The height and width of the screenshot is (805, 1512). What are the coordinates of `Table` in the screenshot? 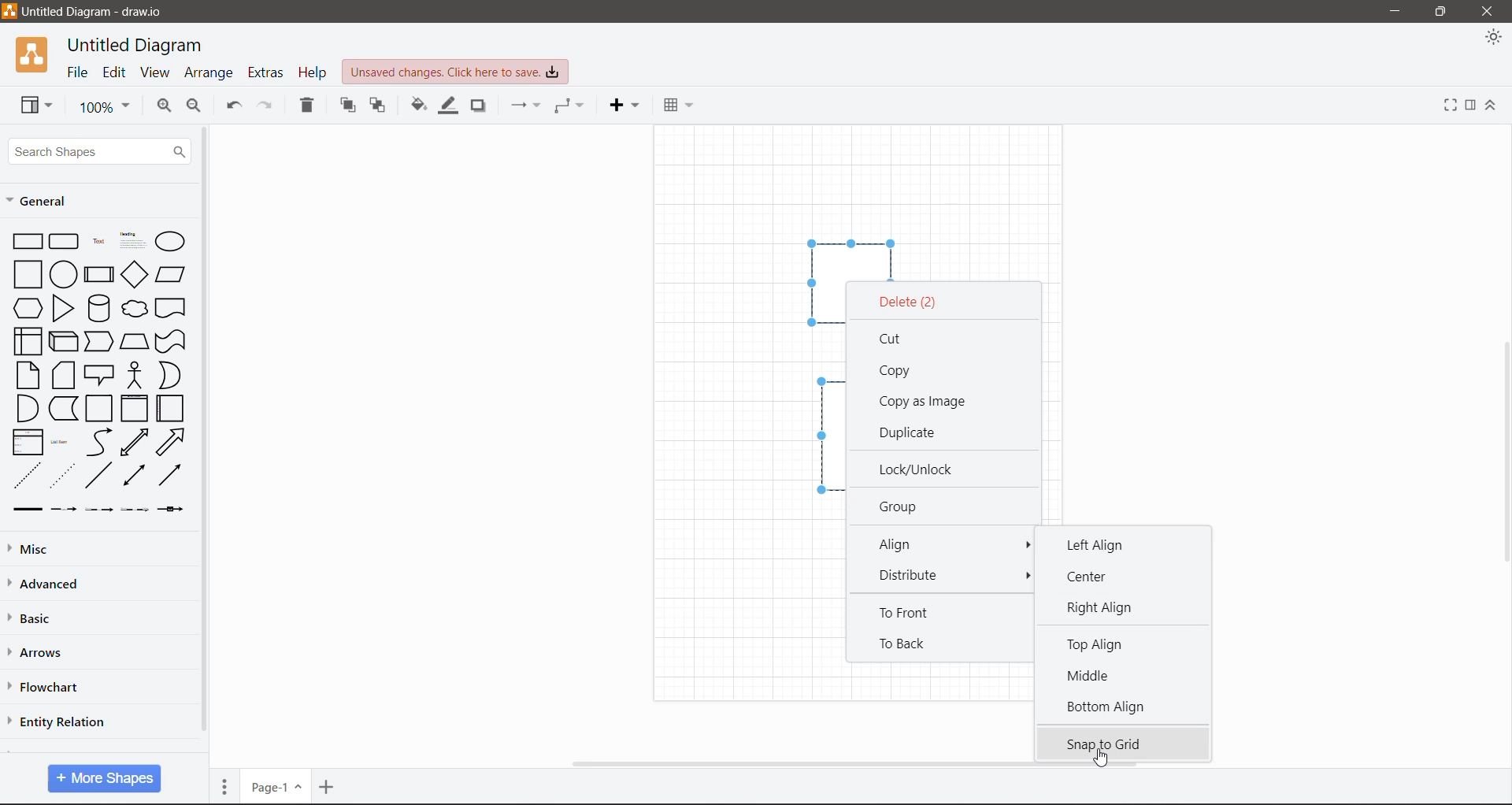 It's located at (678, 104).